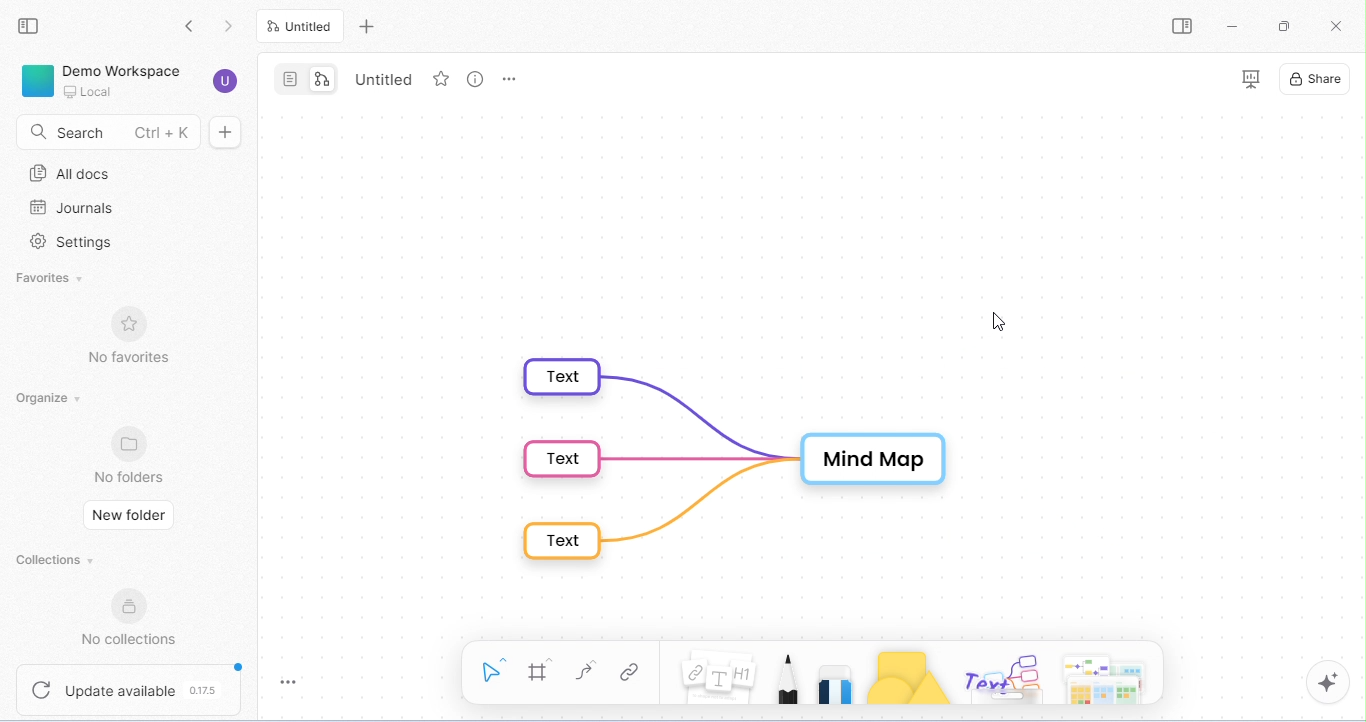 This screenshot has width=1366, height=722. What do you see at coordinates (1000, 320) in the screenshot?
I see `cursor` at bounding box center [1000, 320].